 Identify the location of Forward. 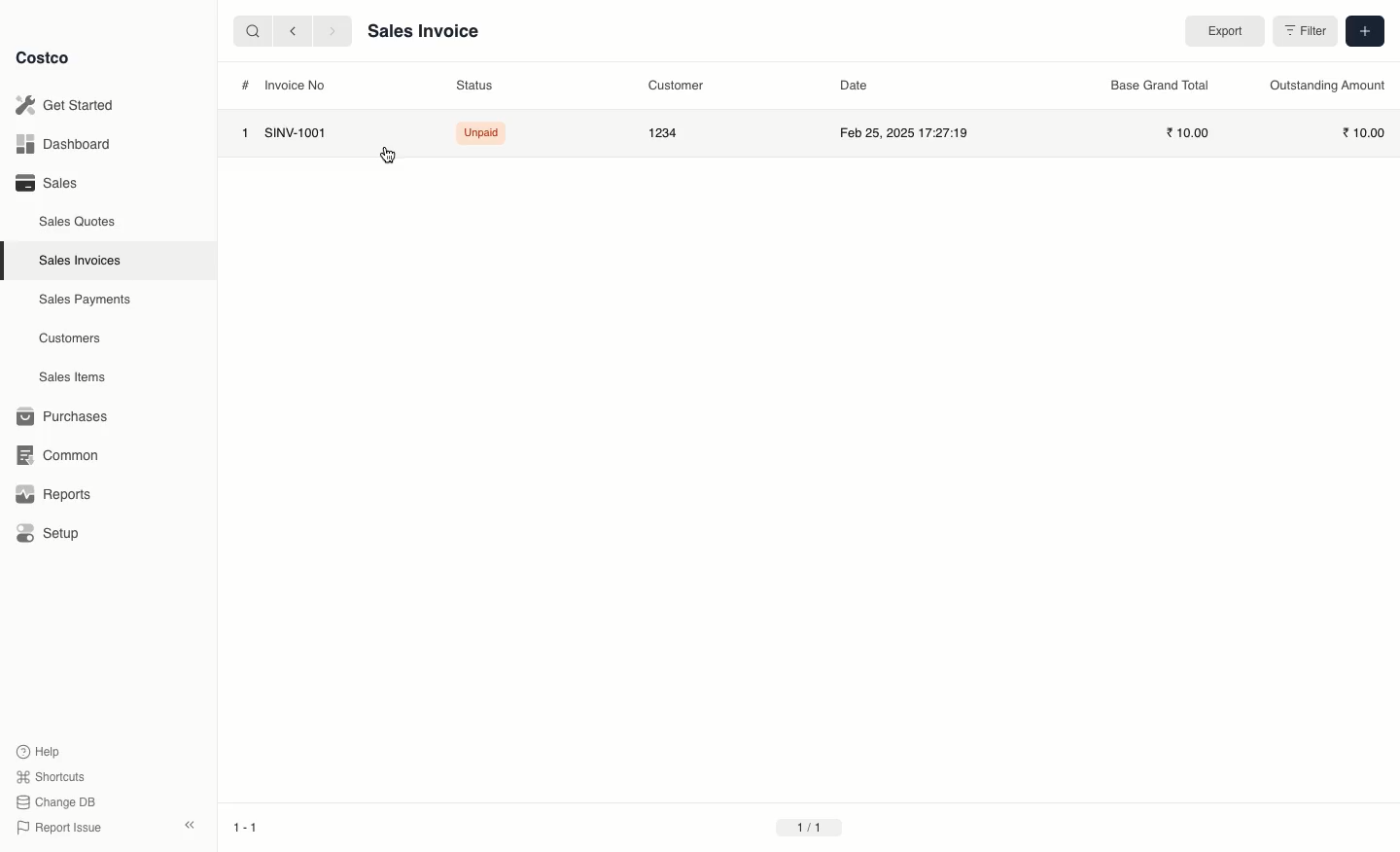
(332, 32).